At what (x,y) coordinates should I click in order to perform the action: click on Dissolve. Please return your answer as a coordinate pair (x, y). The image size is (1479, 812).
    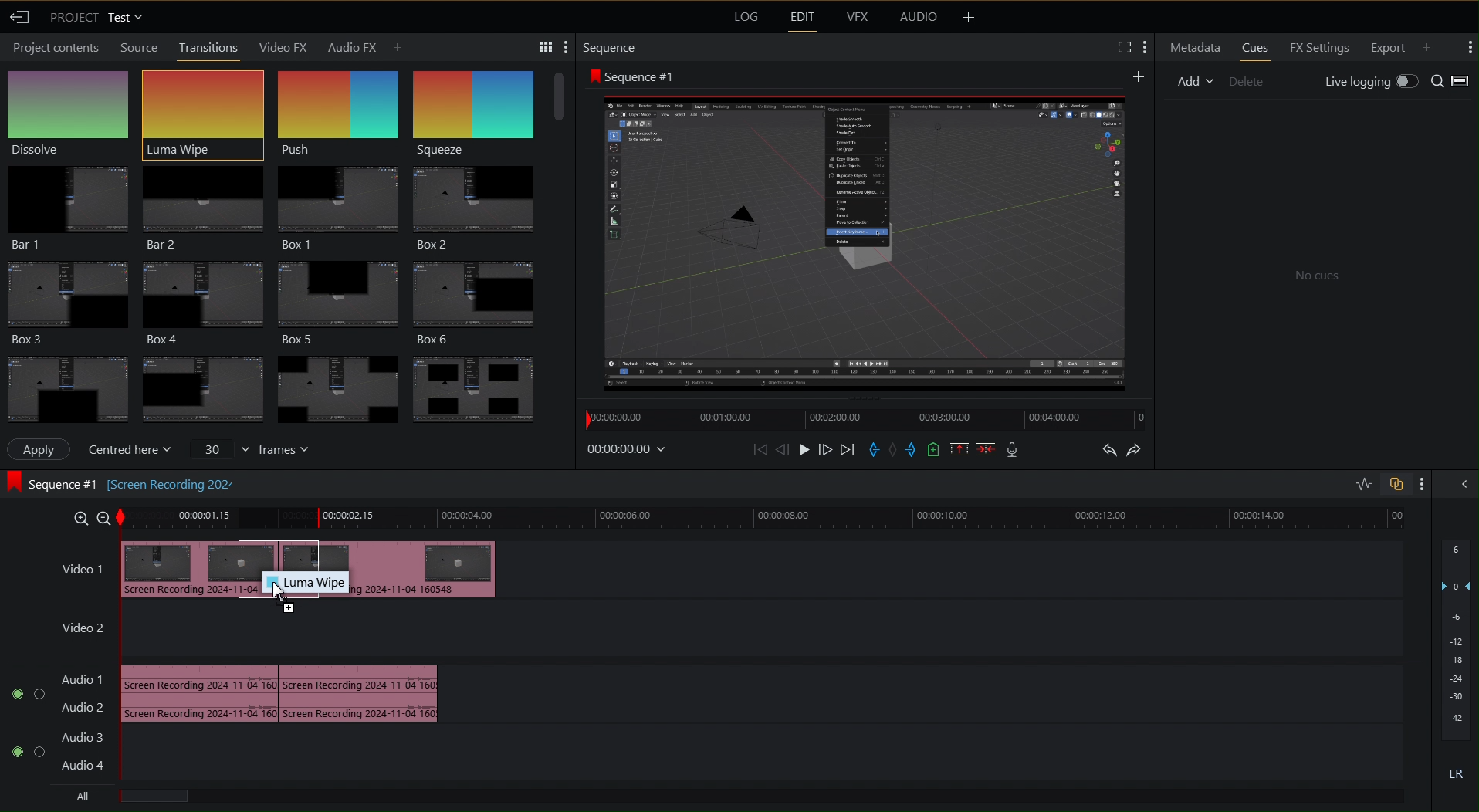
    Looking at the image, I should click on (72, 110).